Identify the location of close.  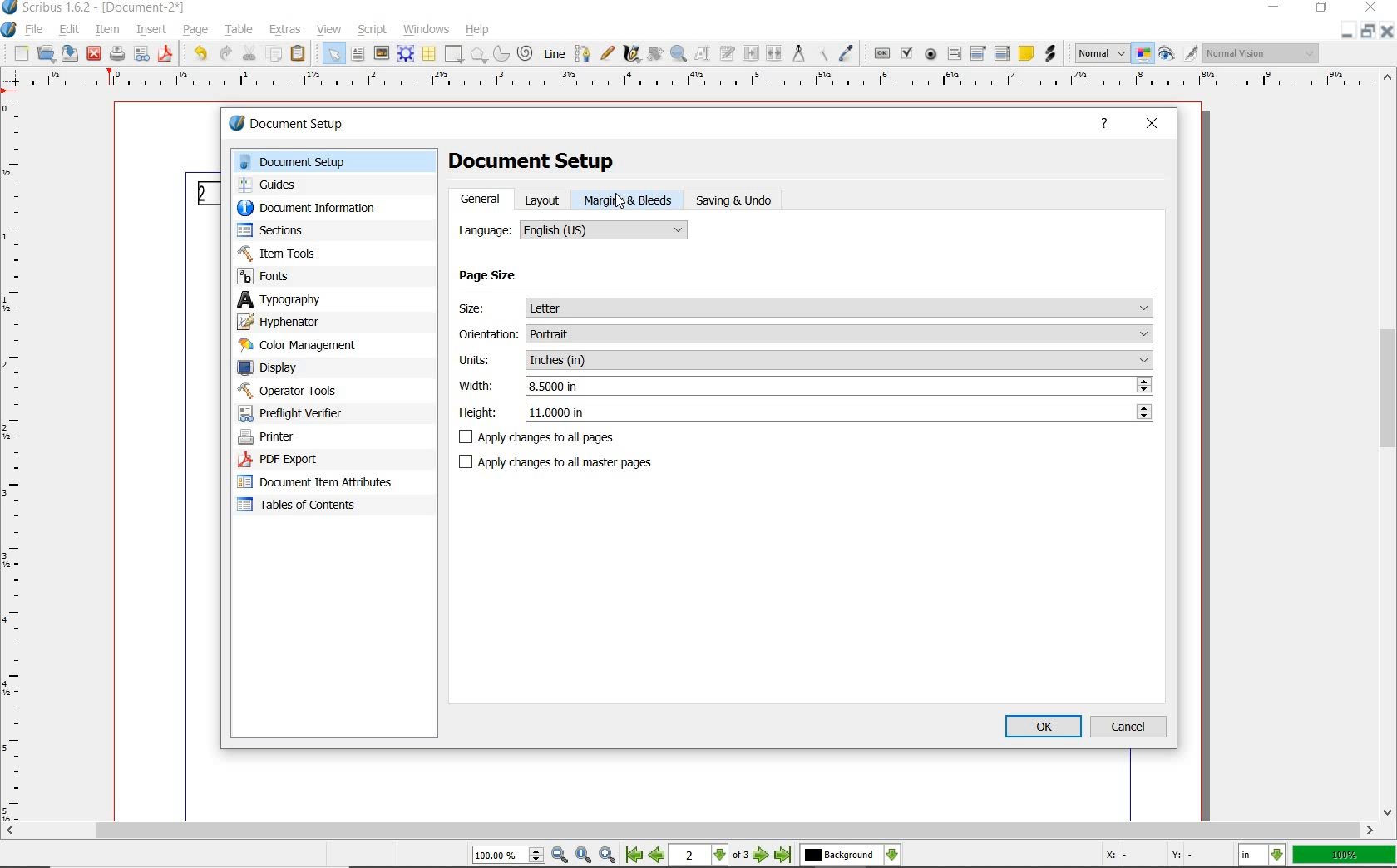
(1154, 121).